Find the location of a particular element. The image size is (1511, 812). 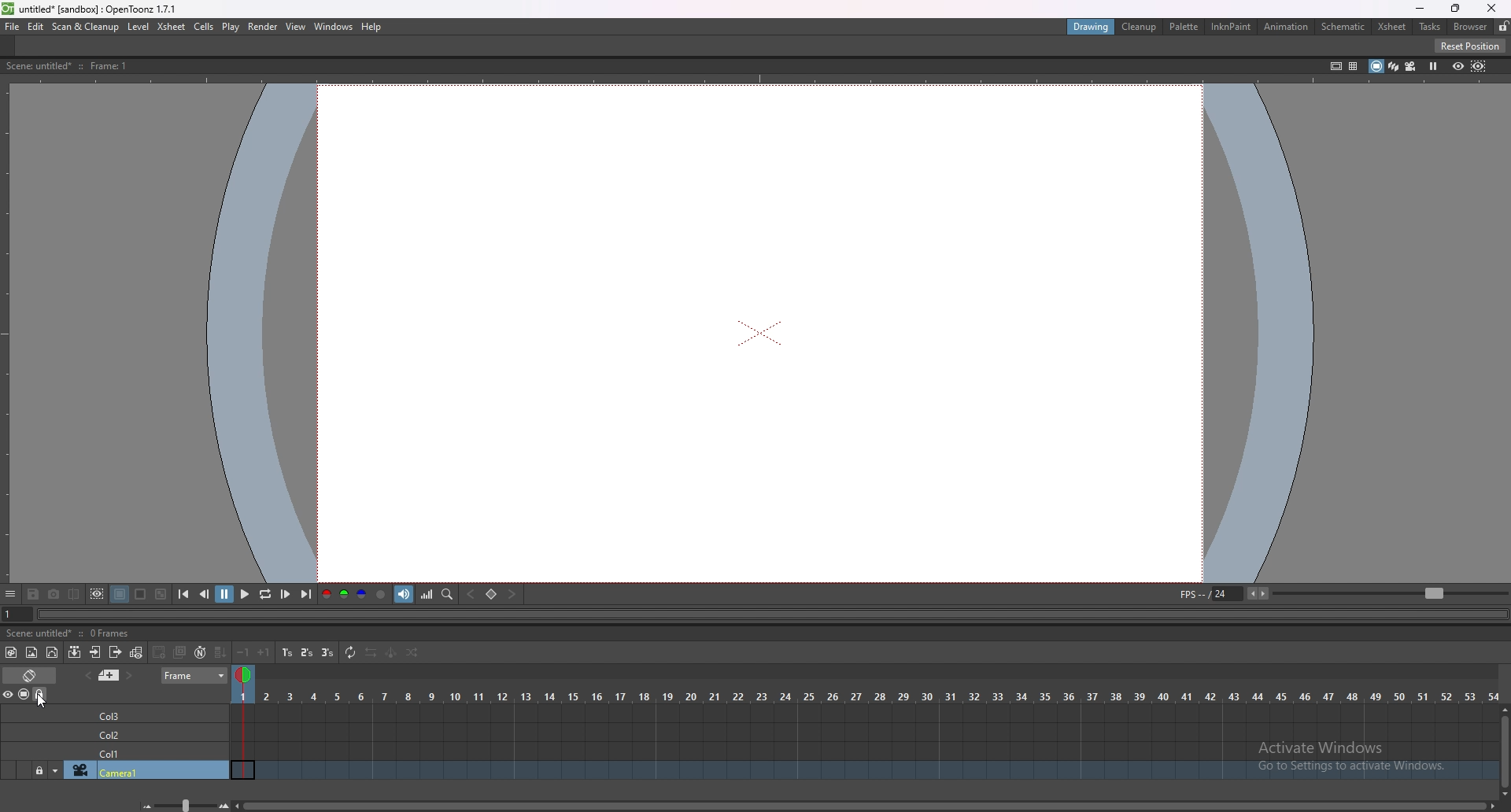

camera timeline is located at coordinates (866, 772).